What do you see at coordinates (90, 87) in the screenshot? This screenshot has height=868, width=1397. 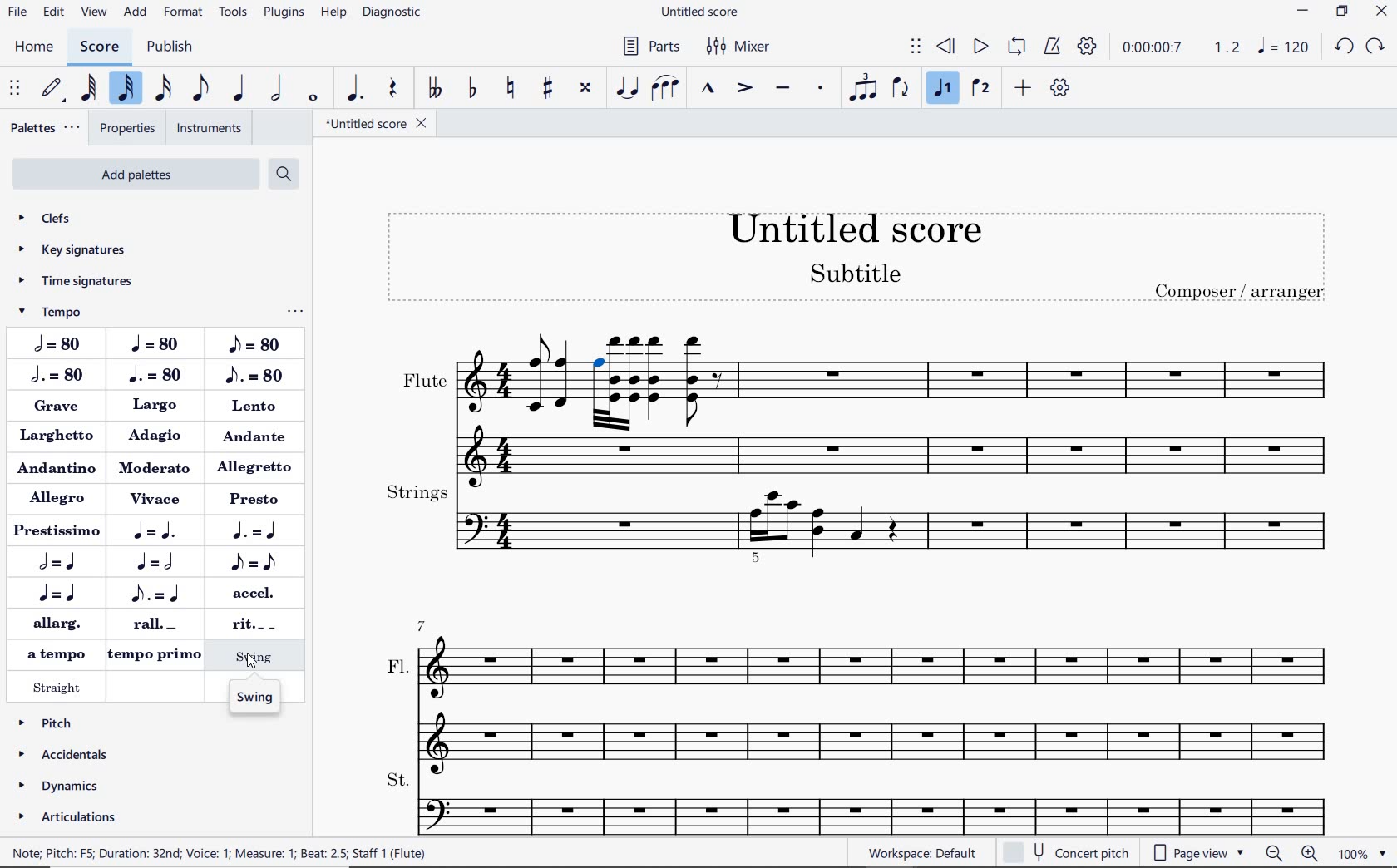 I see `64TH NOTE` at bounding box center [90, 87].